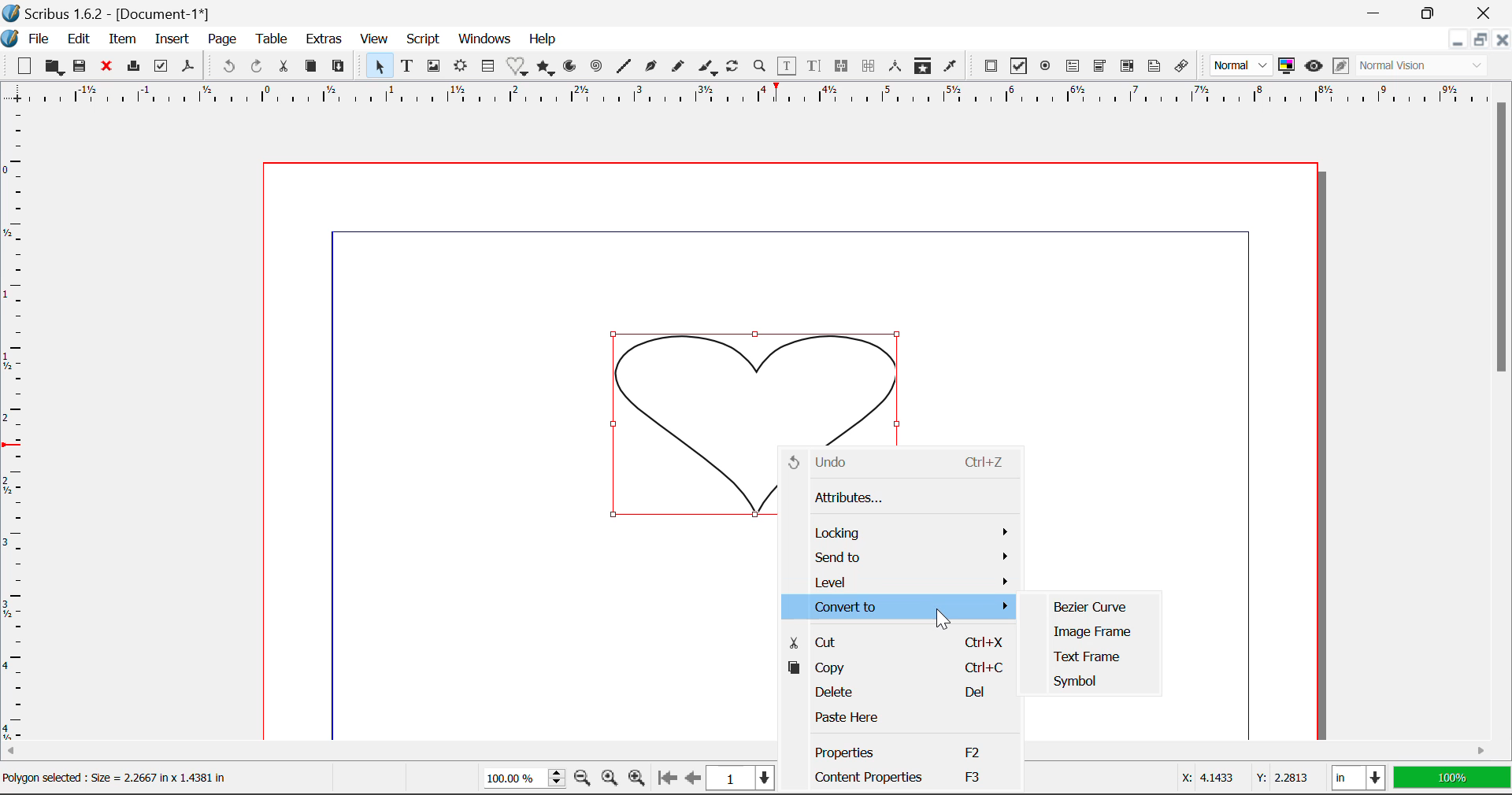 This screenshot has height=795, width=1512. I want to click on Level, so click(902, 581).